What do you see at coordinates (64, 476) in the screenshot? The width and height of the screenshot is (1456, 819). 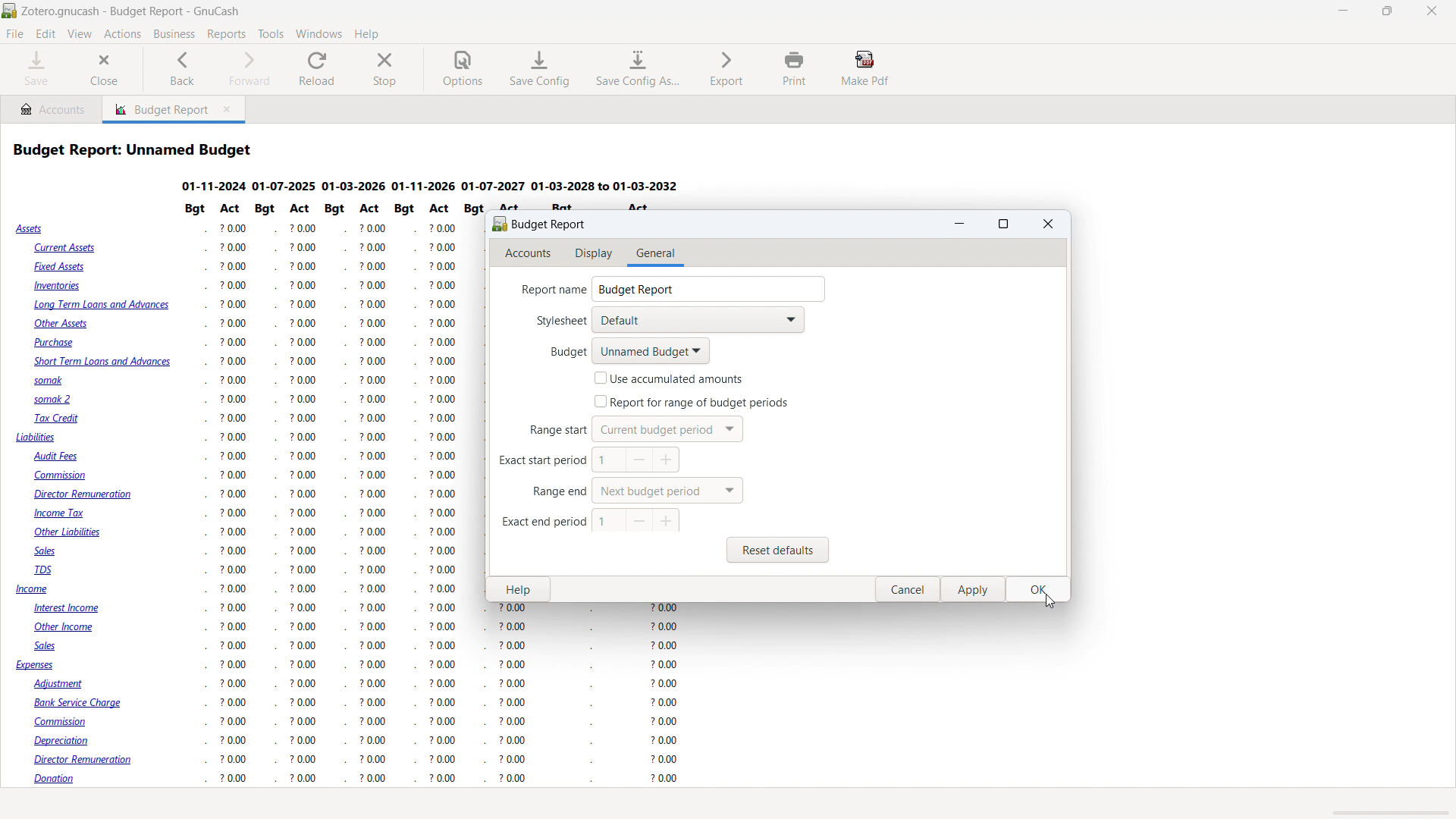 I see `Commission` at bounding box center [64, 476].